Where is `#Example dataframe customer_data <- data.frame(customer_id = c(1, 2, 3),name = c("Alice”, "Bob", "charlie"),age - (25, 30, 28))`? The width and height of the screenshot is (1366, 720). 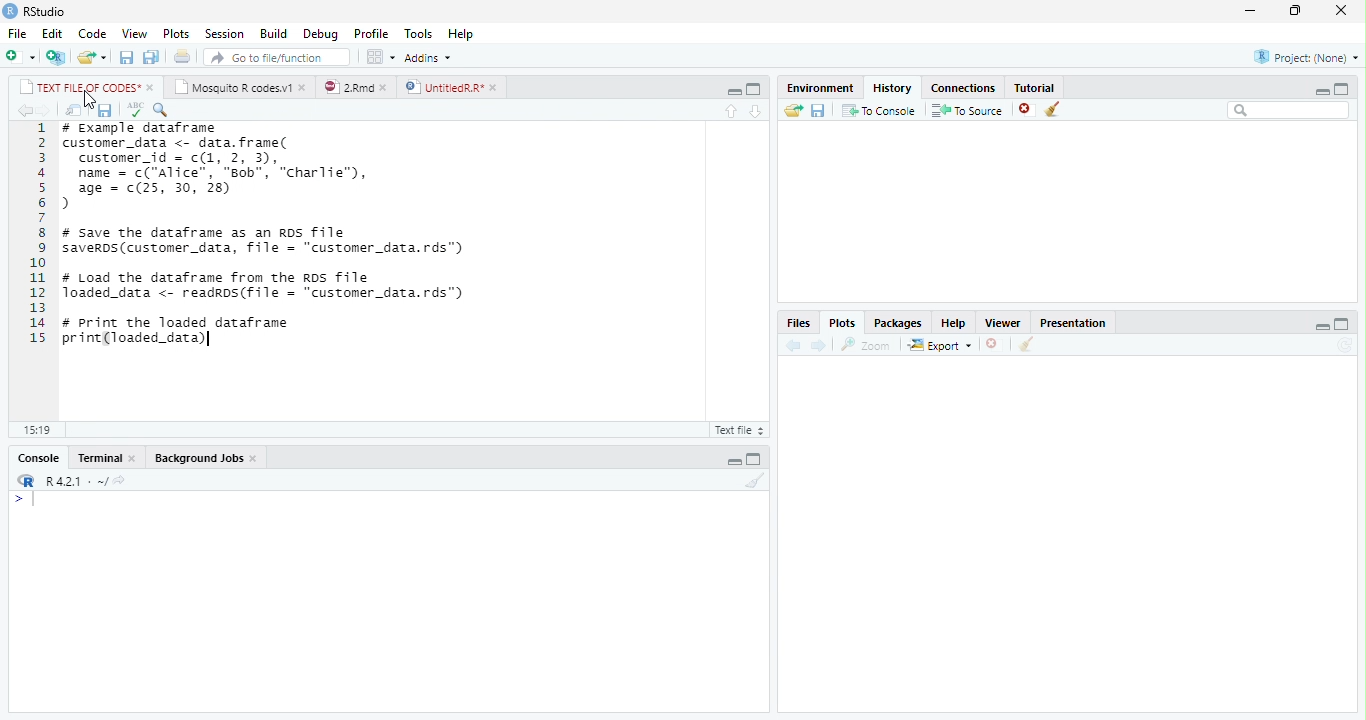
#Example dataframe customer_data <- data.frame(customer_id = c(1, 2, 3),name = c("Alice”, "Bob", "charlie"),age - (25, 30, 28)) is located at coordinates (223, 167).